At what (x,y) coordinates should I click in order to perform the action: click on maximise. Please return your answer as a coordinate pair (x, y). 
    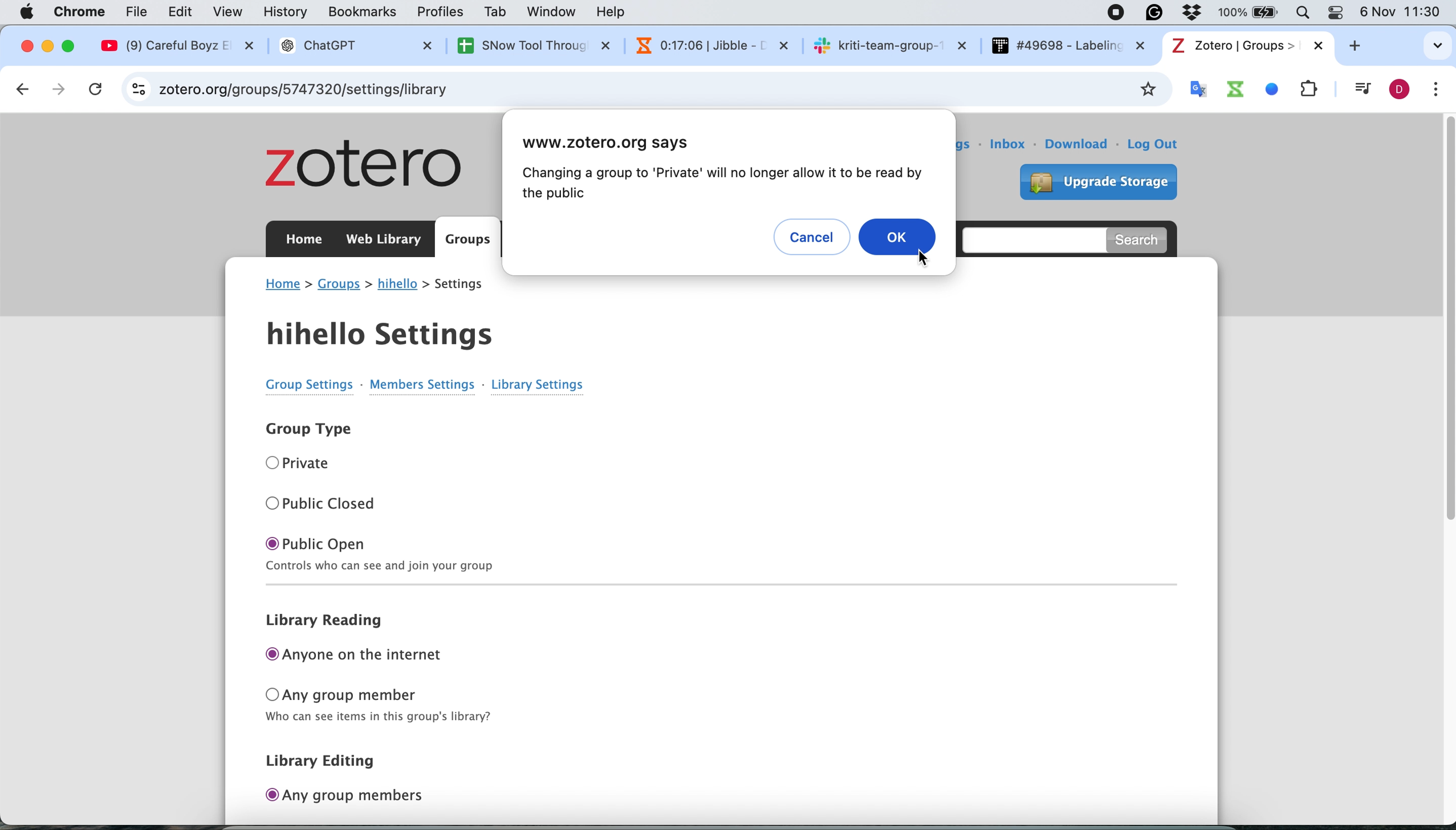
    Looking at the image, I should click on (72, 44).